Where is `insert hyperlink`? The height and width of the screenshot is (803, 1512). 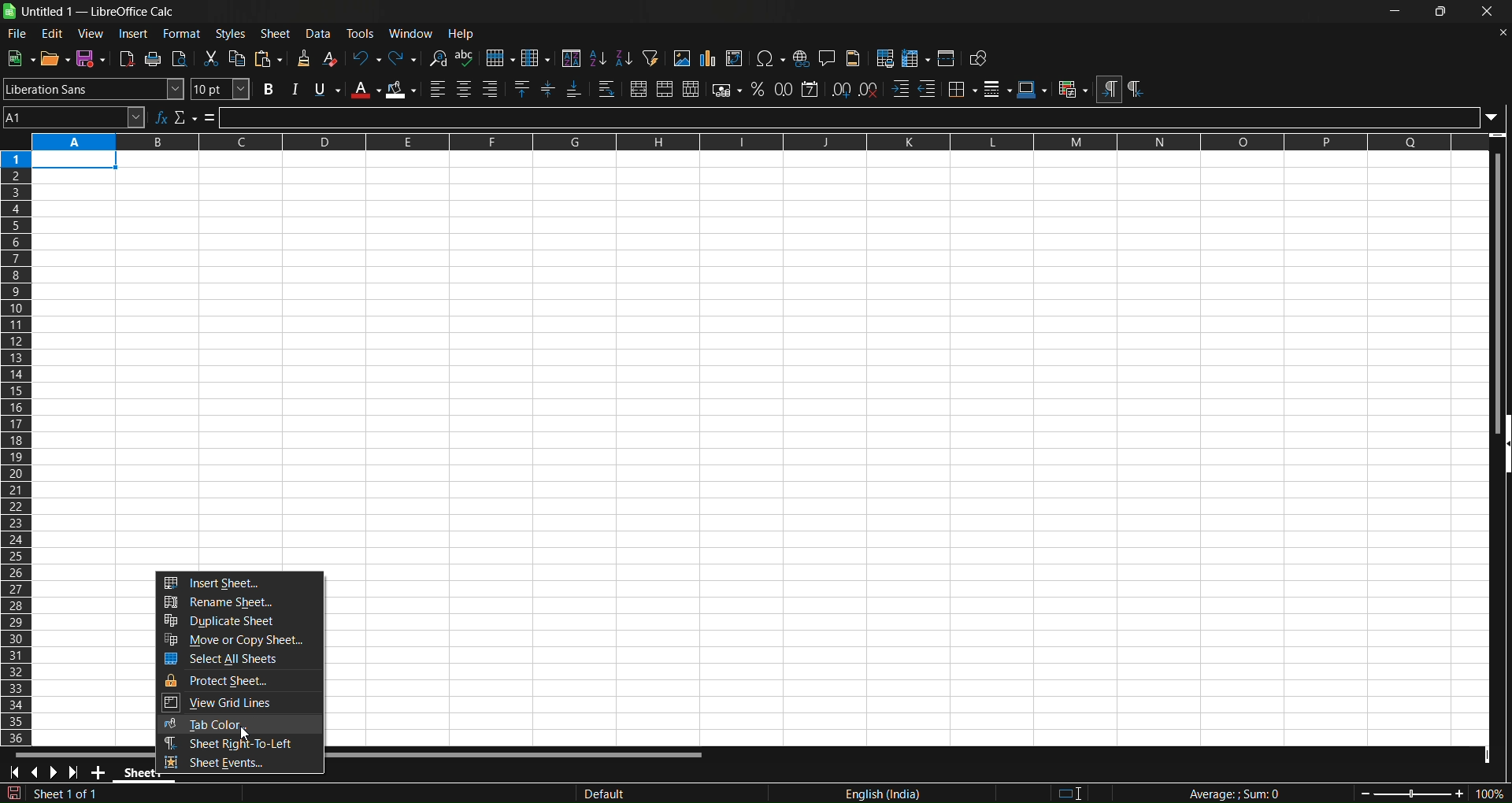
insert hyperlink is located at coordinates (802, 58).